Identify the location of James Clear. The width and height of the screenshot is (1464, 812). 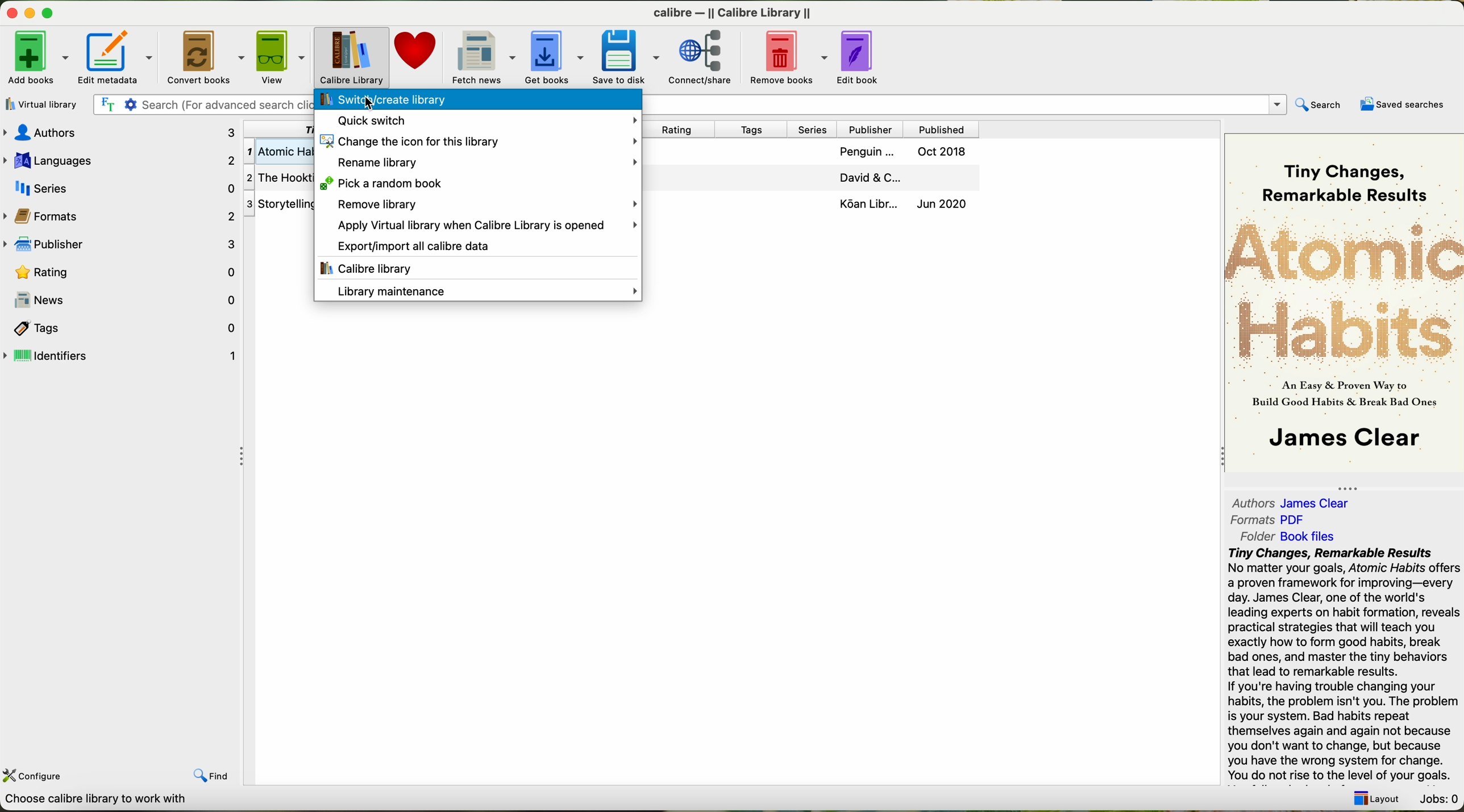
(1320, 503).